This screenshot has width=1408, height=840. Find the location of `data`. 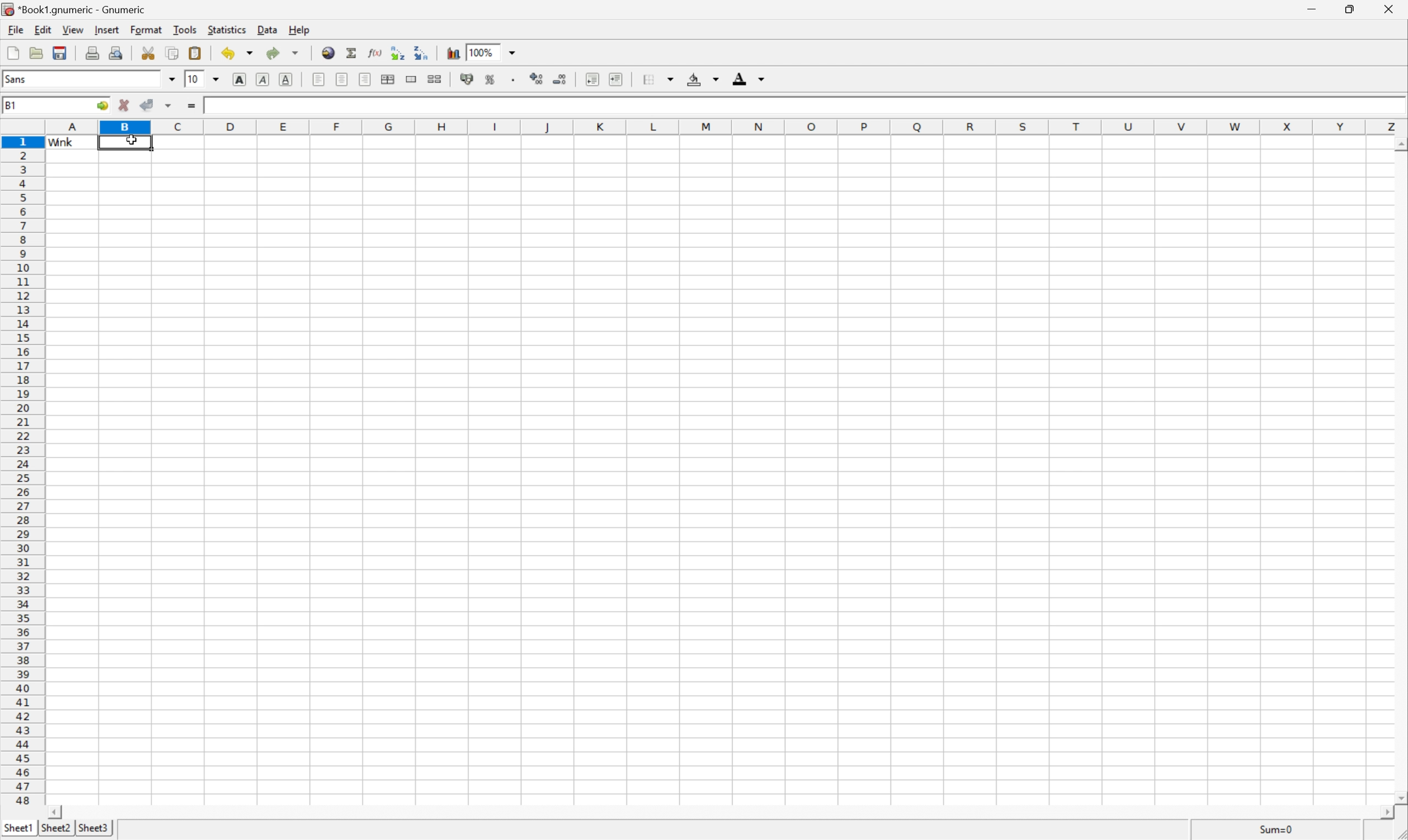

data is located at coordinates (266, 30).